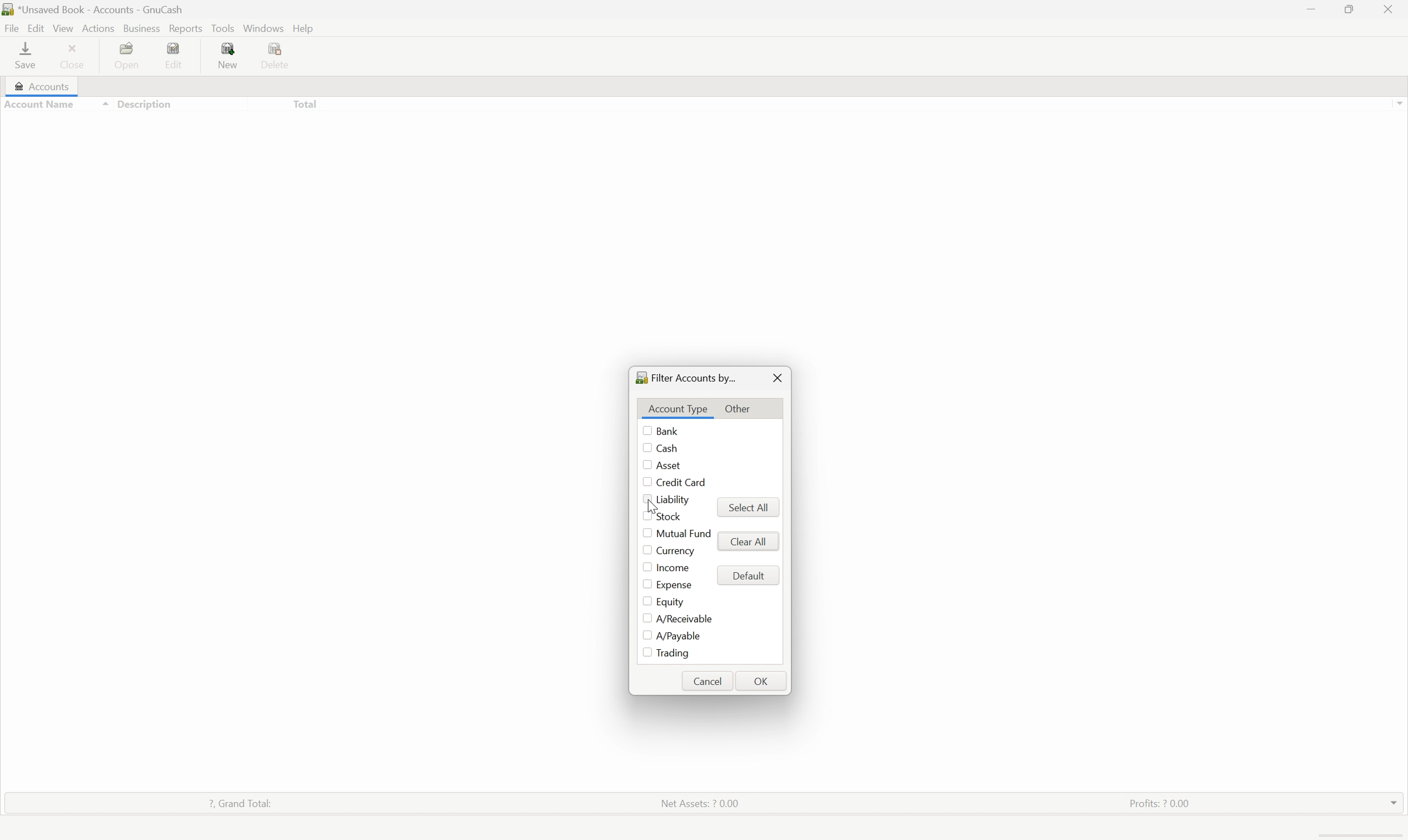 The height and width of the screenshot is (840, 1408). Describe the element at coordinates (238, 802) in the screenshot. I see `? Grand total` at that location.